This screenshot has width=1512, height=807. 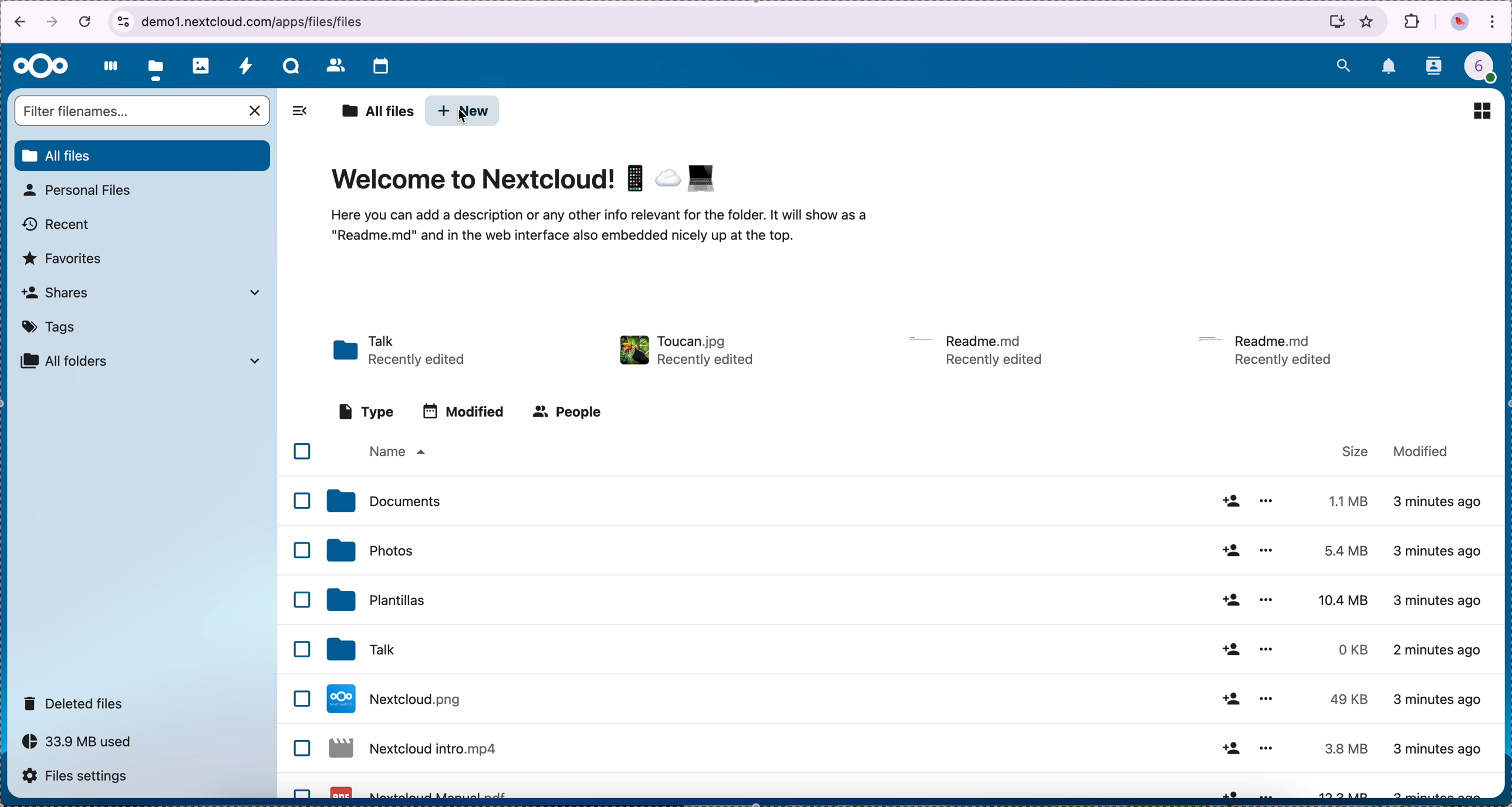 What do you see at coordinates (358, 650) in the screenshot?
I see `talk` at bounding box center [358, 650].